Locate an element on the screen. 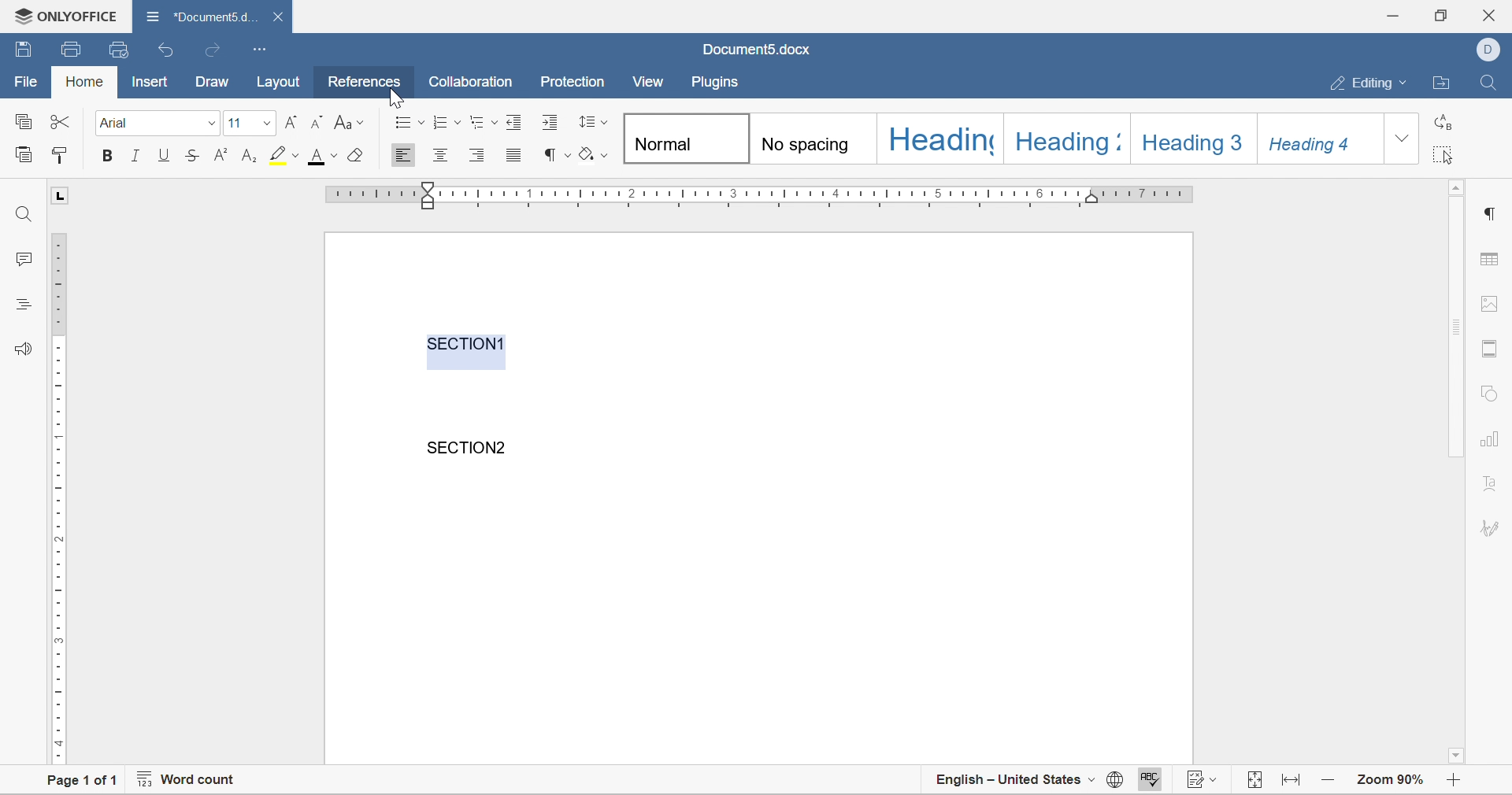 The image size is (1512, 795). section2 is located at coordinates (470, 447).